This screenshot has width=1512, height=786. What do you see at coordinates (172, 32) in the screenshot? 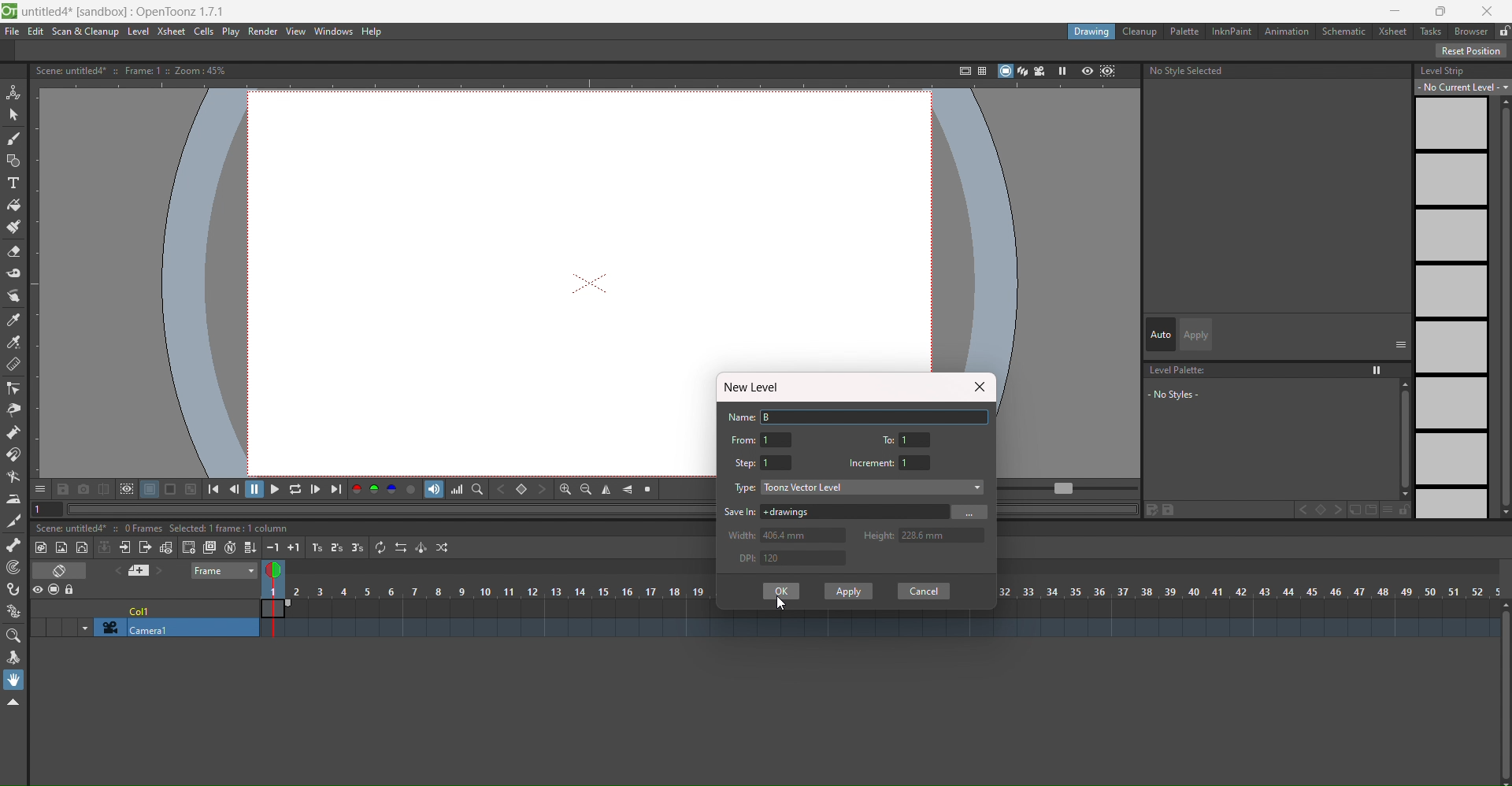
I see `xsheet` at bounding box center [172, 32].